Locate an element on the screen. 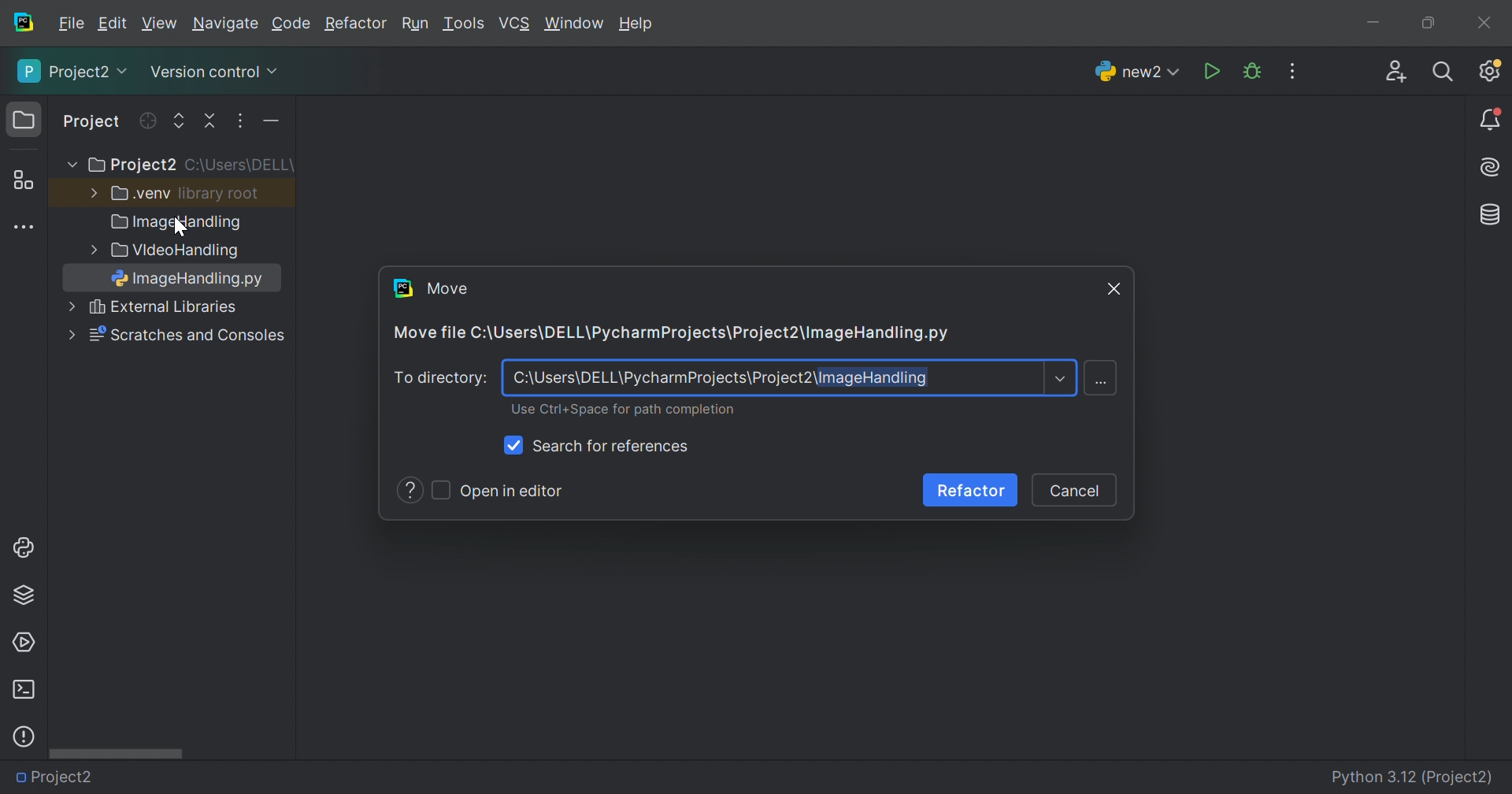 Image resolution: width=1512 pixels, height=794 pixels. File is located at coordinates (72, 24).